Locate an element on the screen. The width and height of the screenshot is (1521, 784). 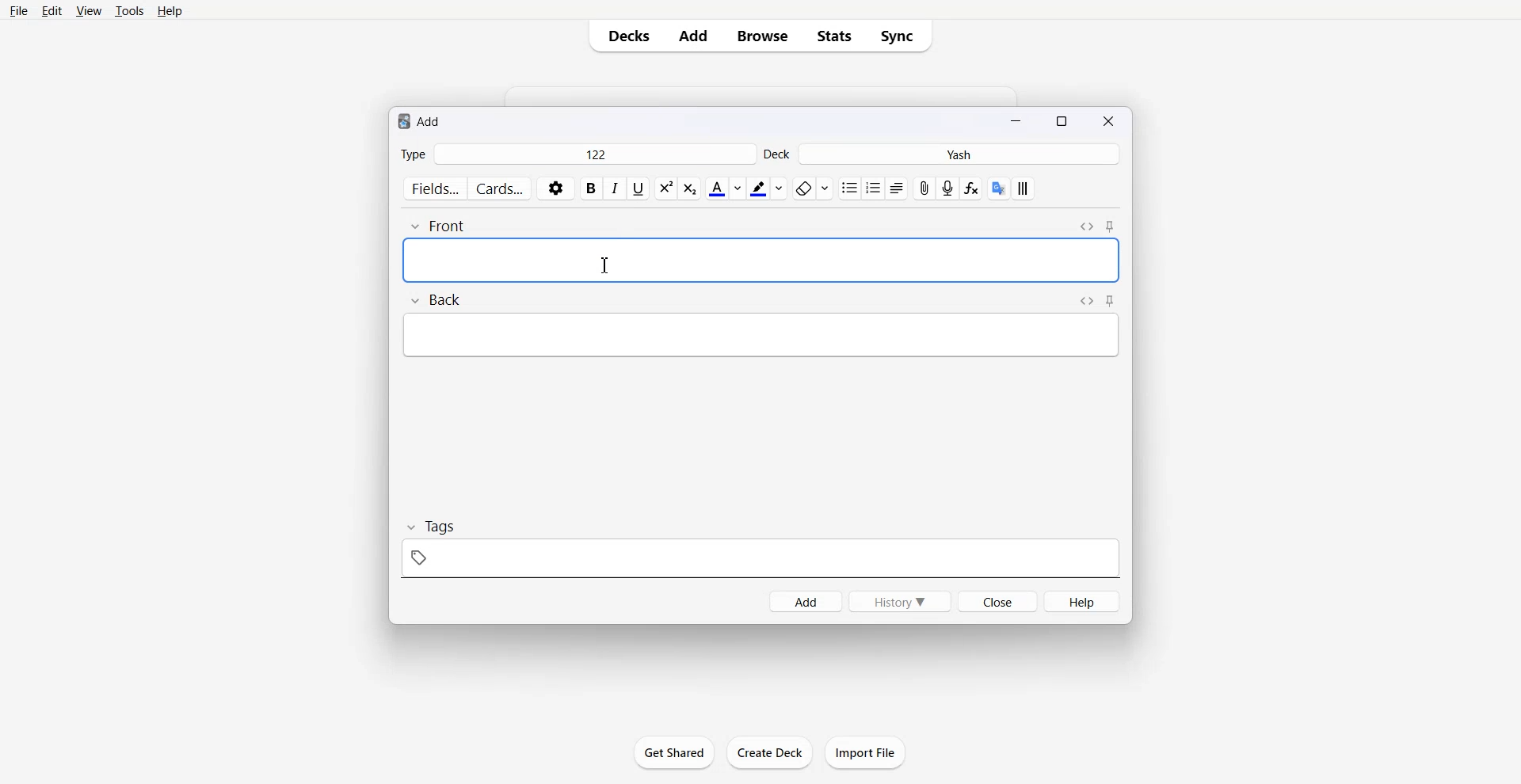
Toggle HTML Editor is located at coordinates (1084, 300).